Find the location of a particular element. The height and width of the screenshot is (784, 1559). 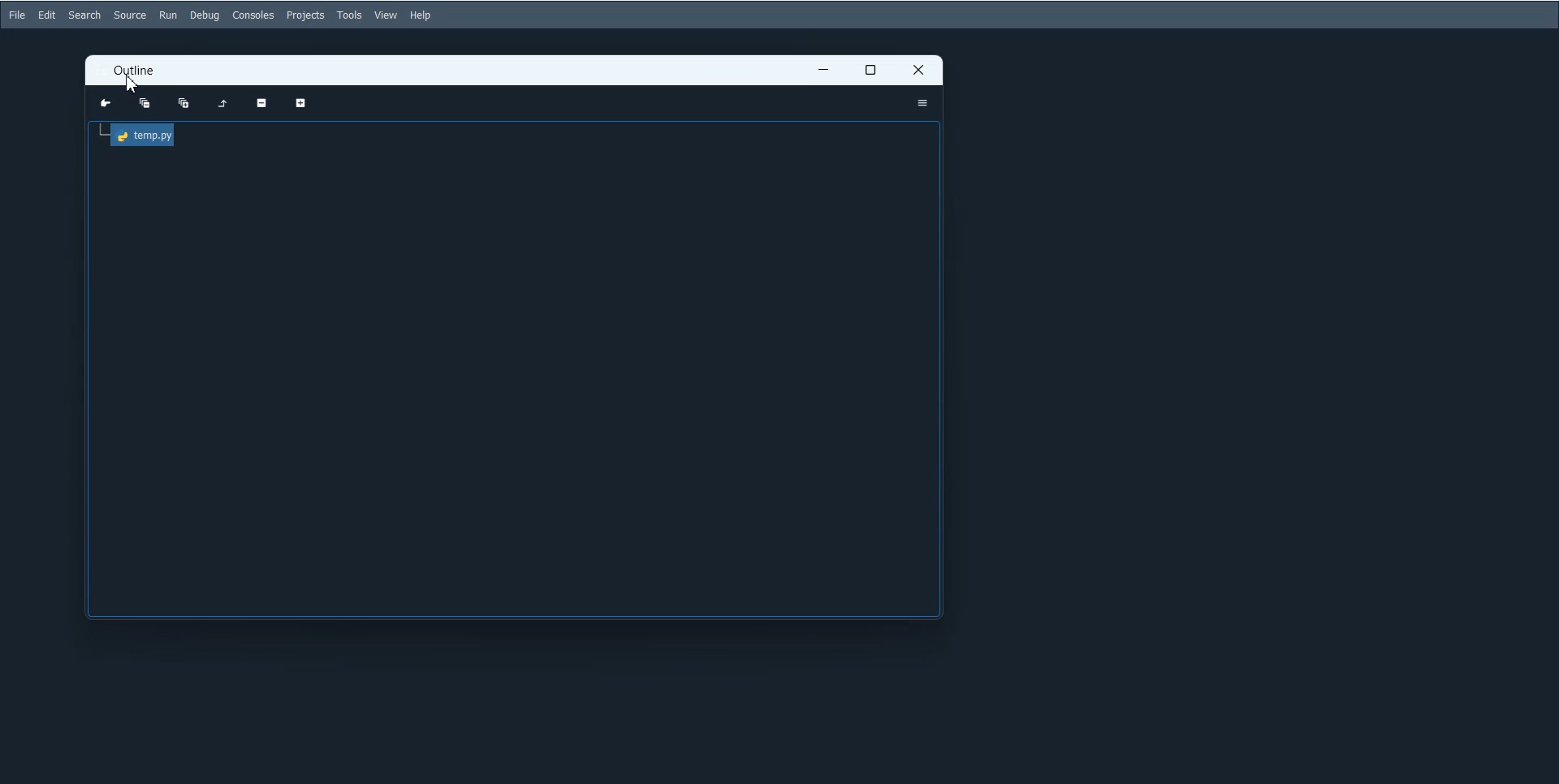

Expand section is located at coordinates (299, 104).